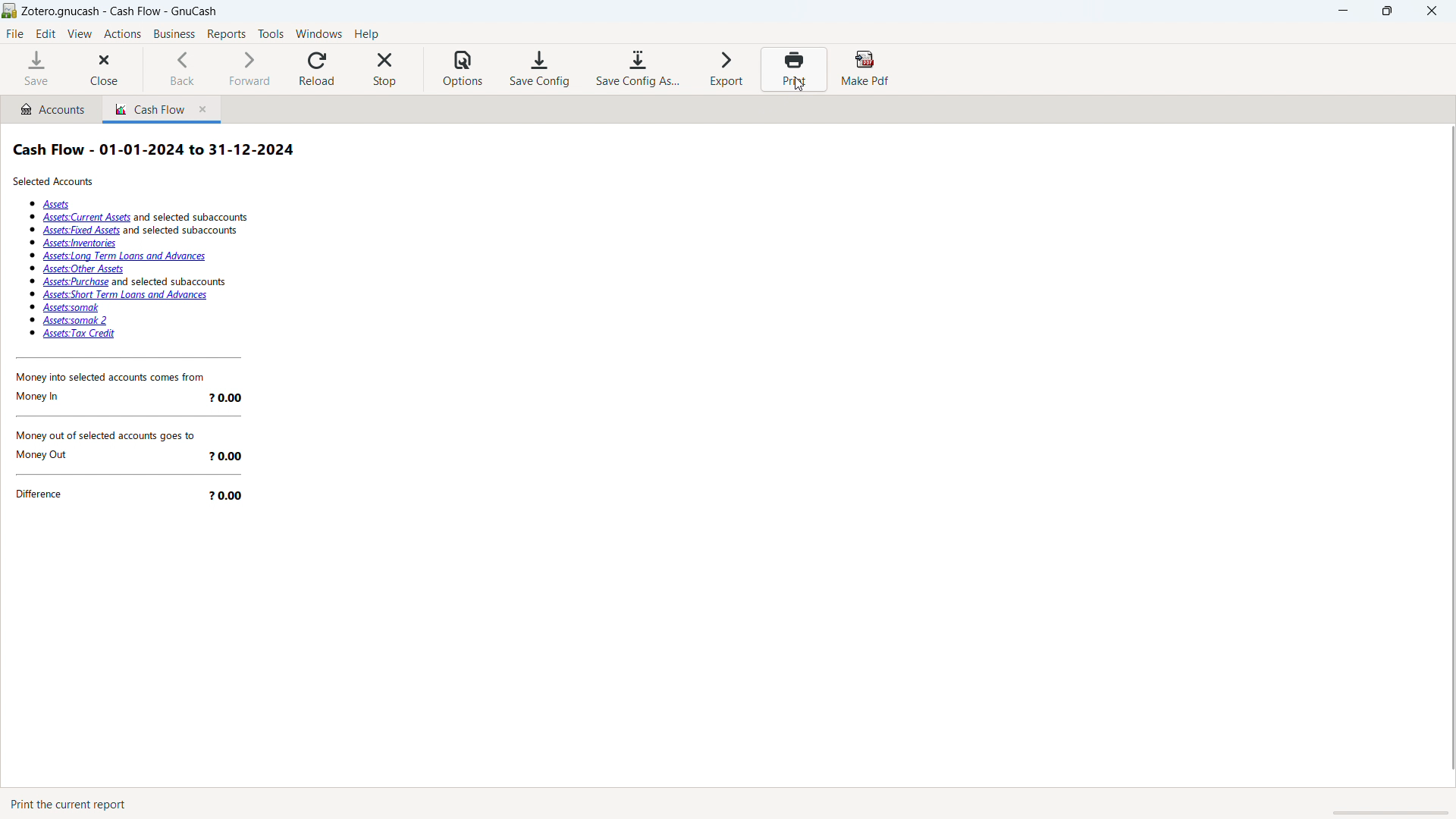  I want to click on business, so click(174, 33).